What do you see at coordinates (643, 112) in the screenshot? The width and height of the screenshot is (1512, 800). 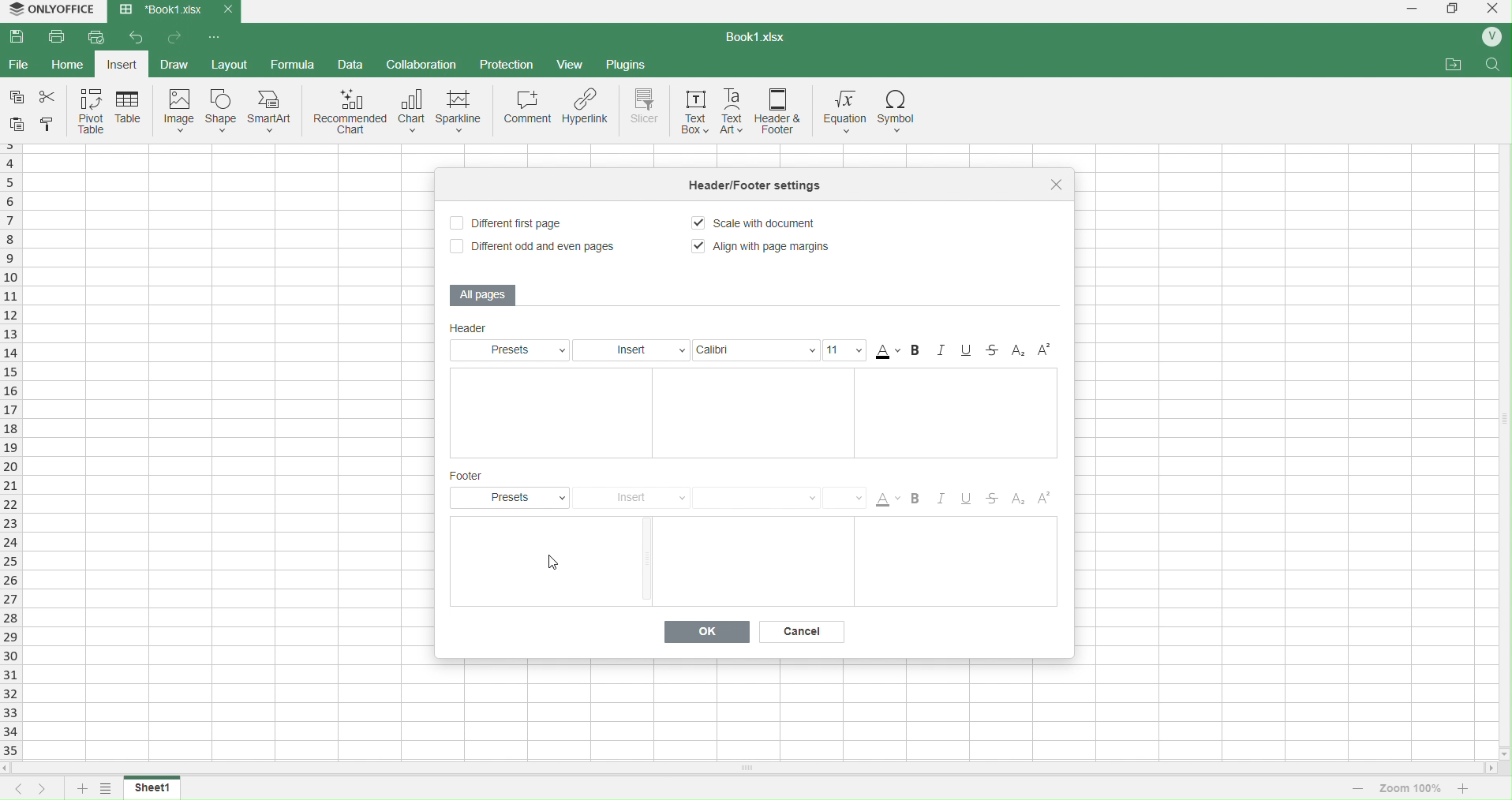 I see `slicer` at bounding box center [643, 112].